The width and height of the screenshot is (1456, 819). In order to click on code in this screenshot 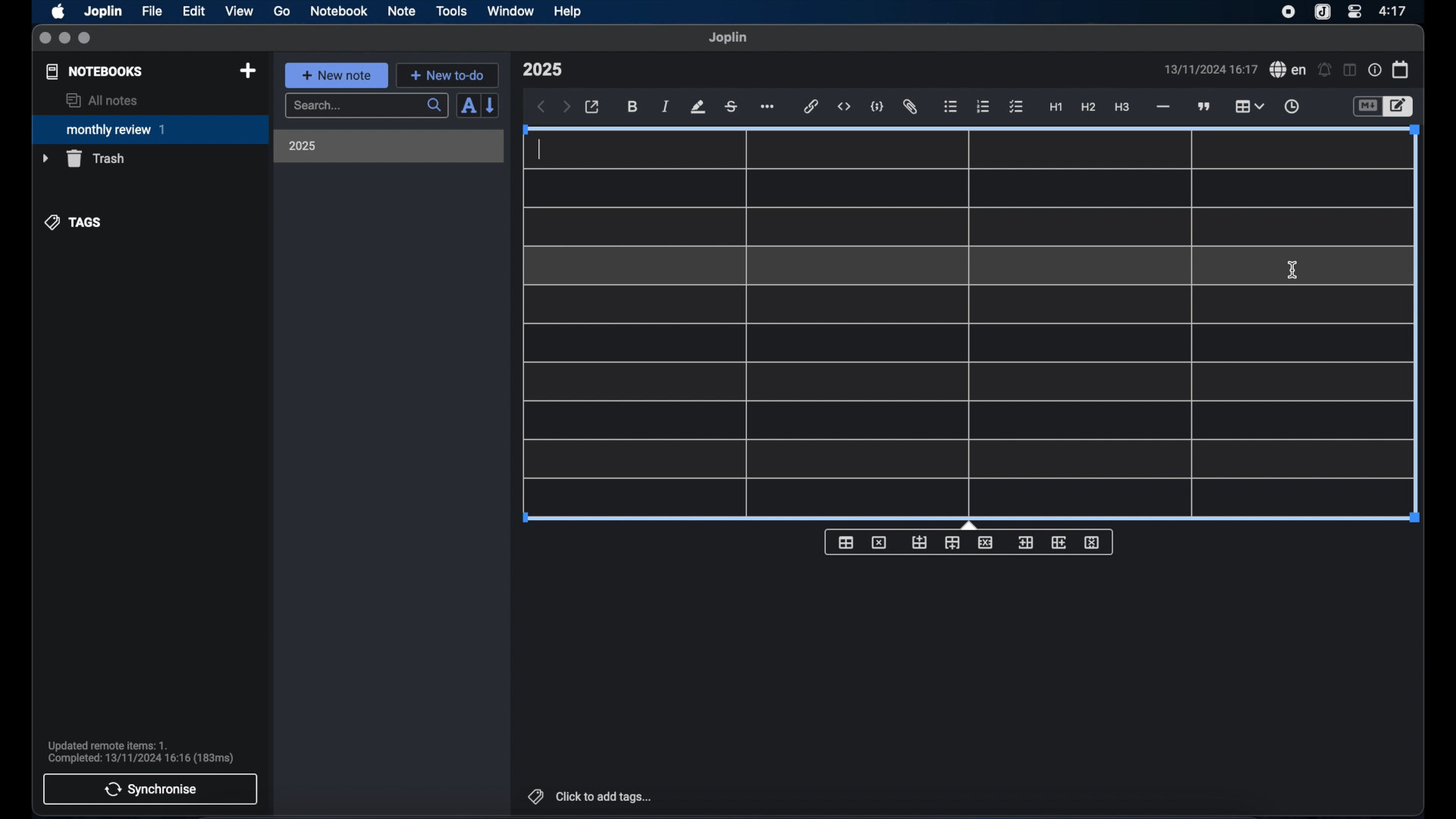, I will do `click(877, 108)`.